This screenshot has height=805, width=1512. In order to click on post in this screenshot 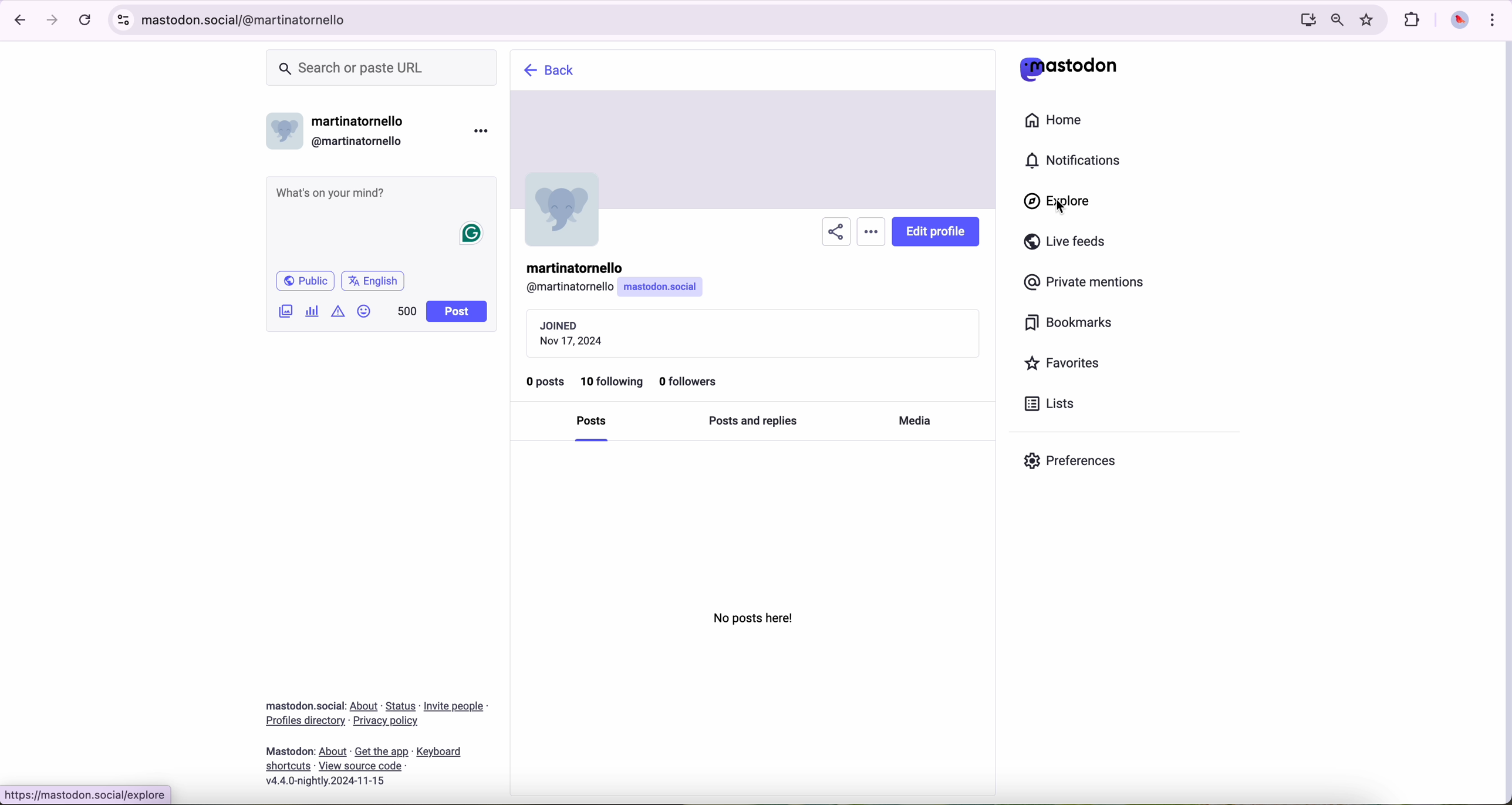, I will do `click(458, 312)`.